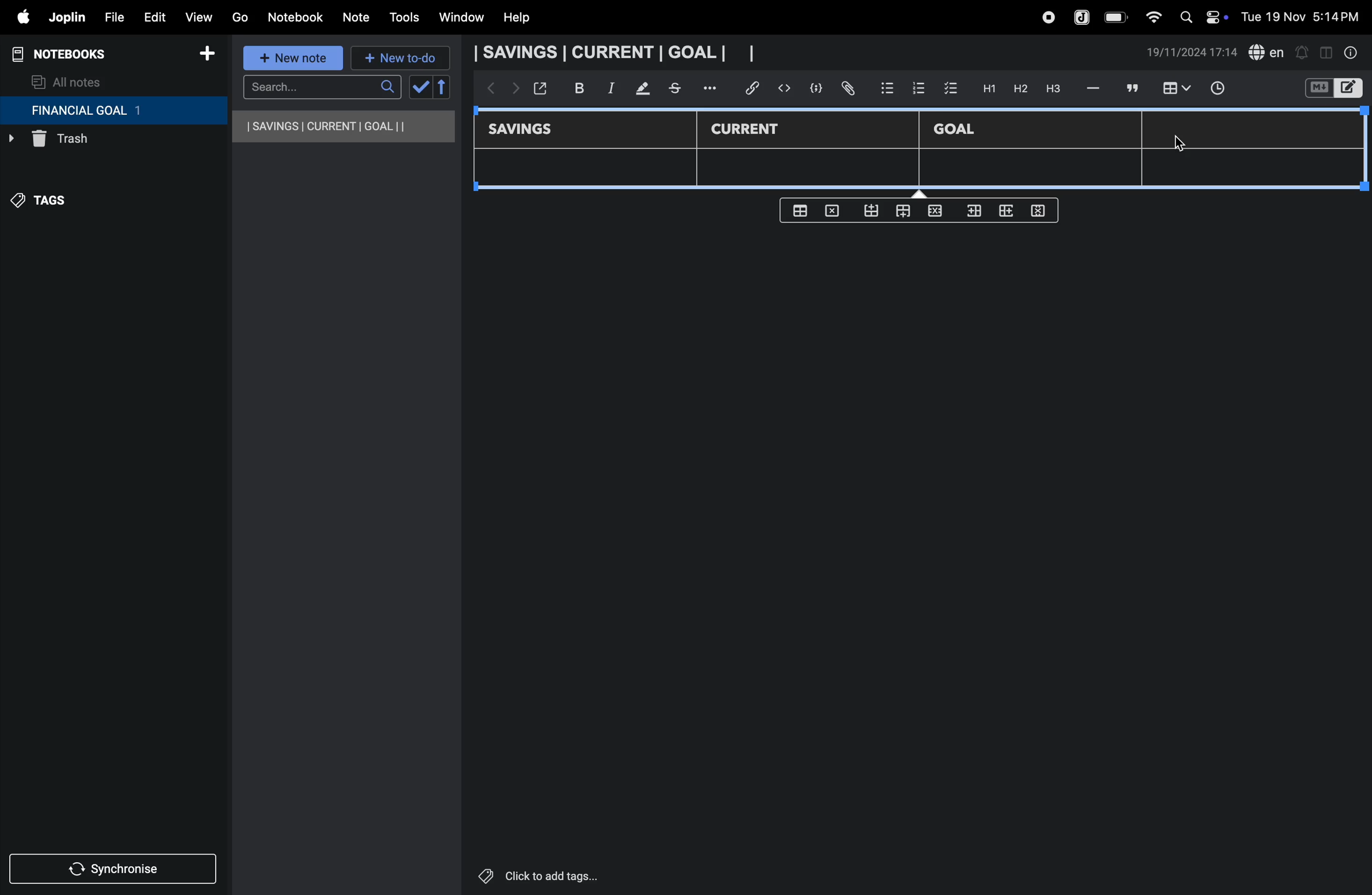 This screenshot has width=1372, height=895. Describe the element at coordinates (67, 81) in the screenshot. I see `all notes` at that location.